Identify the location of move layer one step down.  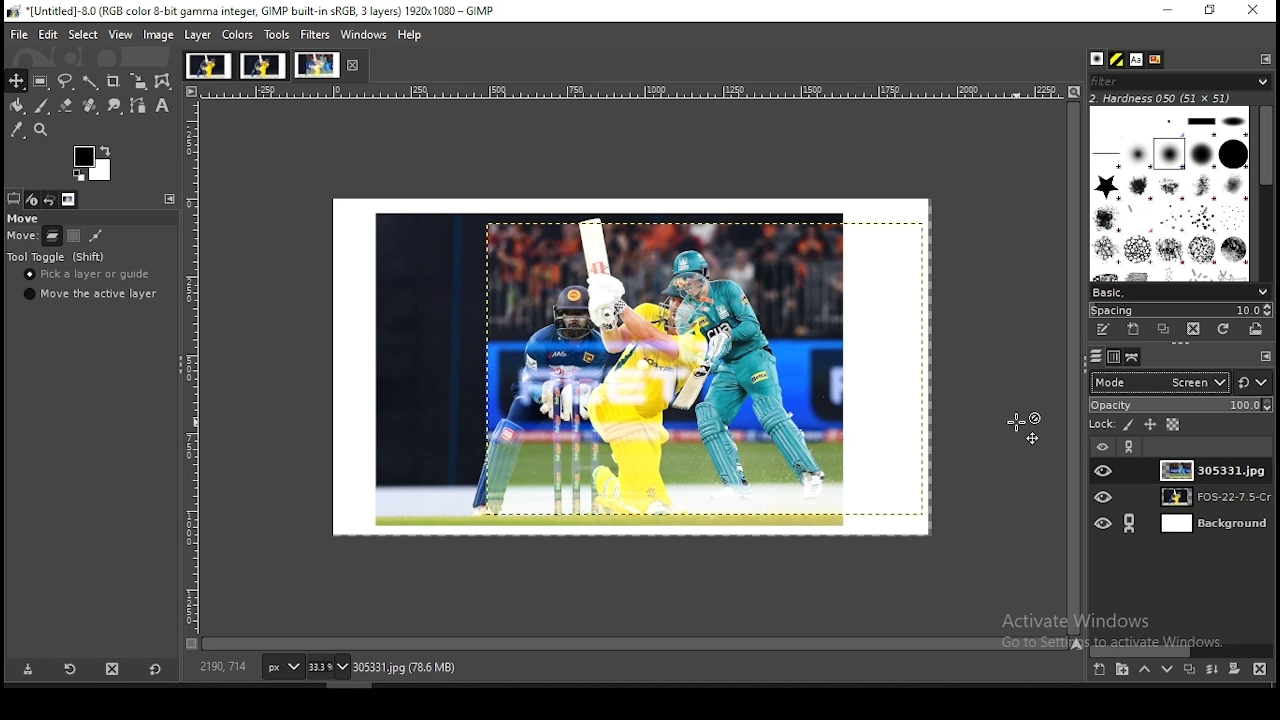
(1167, 668).